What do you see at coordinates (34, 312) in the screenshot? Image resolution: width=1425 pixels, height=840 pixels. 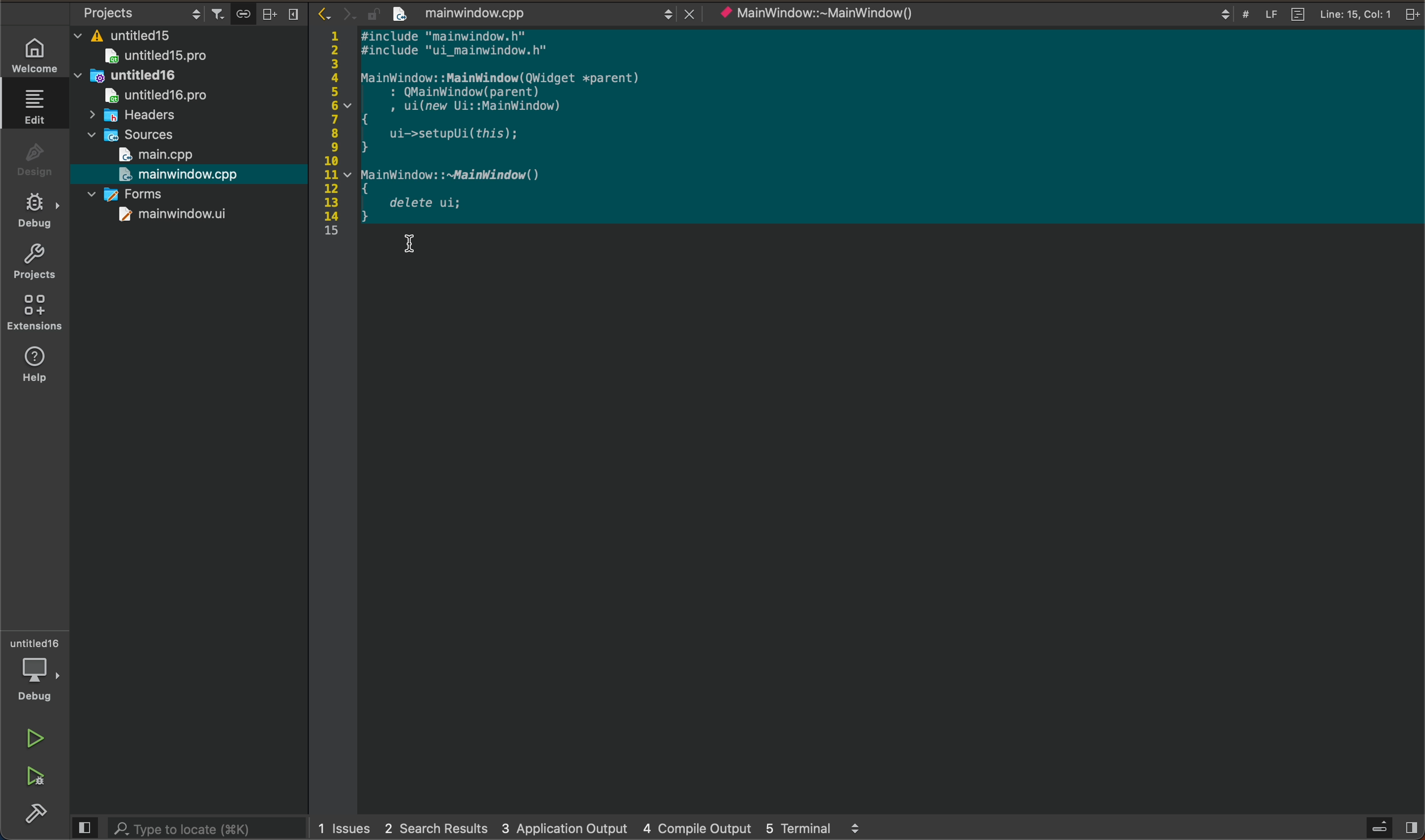 I see `extensions` at bounding box center [34, 312].